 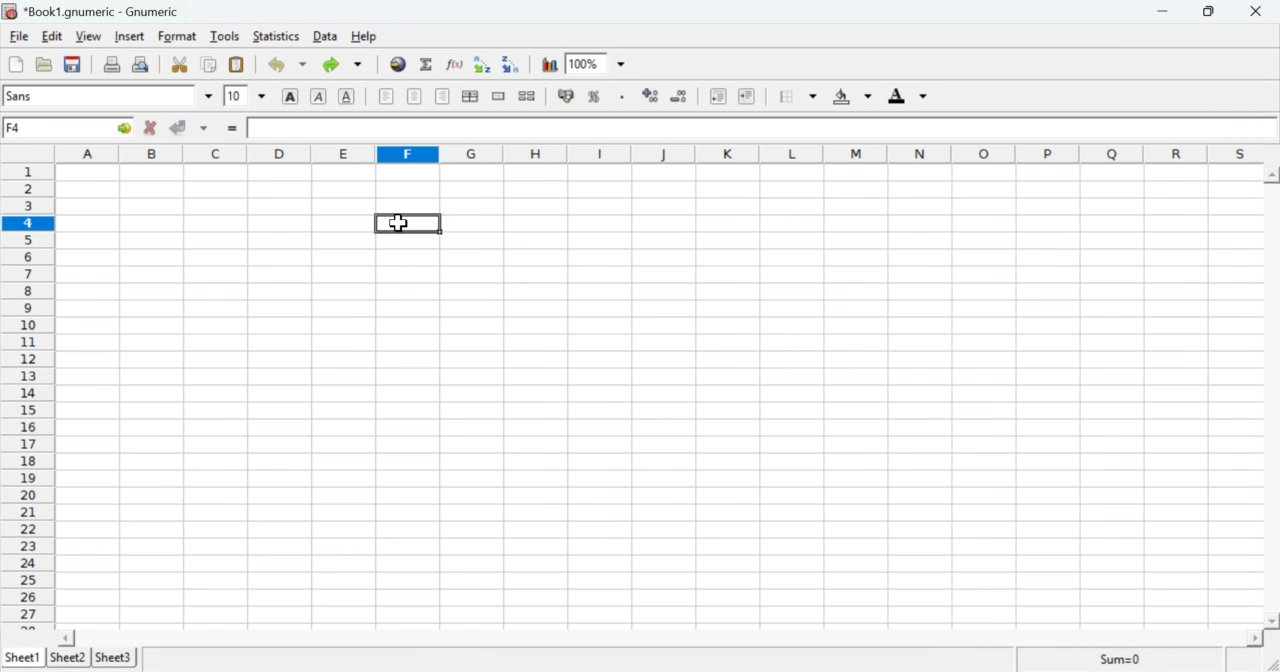 What do you see at coordinates (746, 94) in the screenshot?
I see `Increase indent` at bounding box center [746, 94].